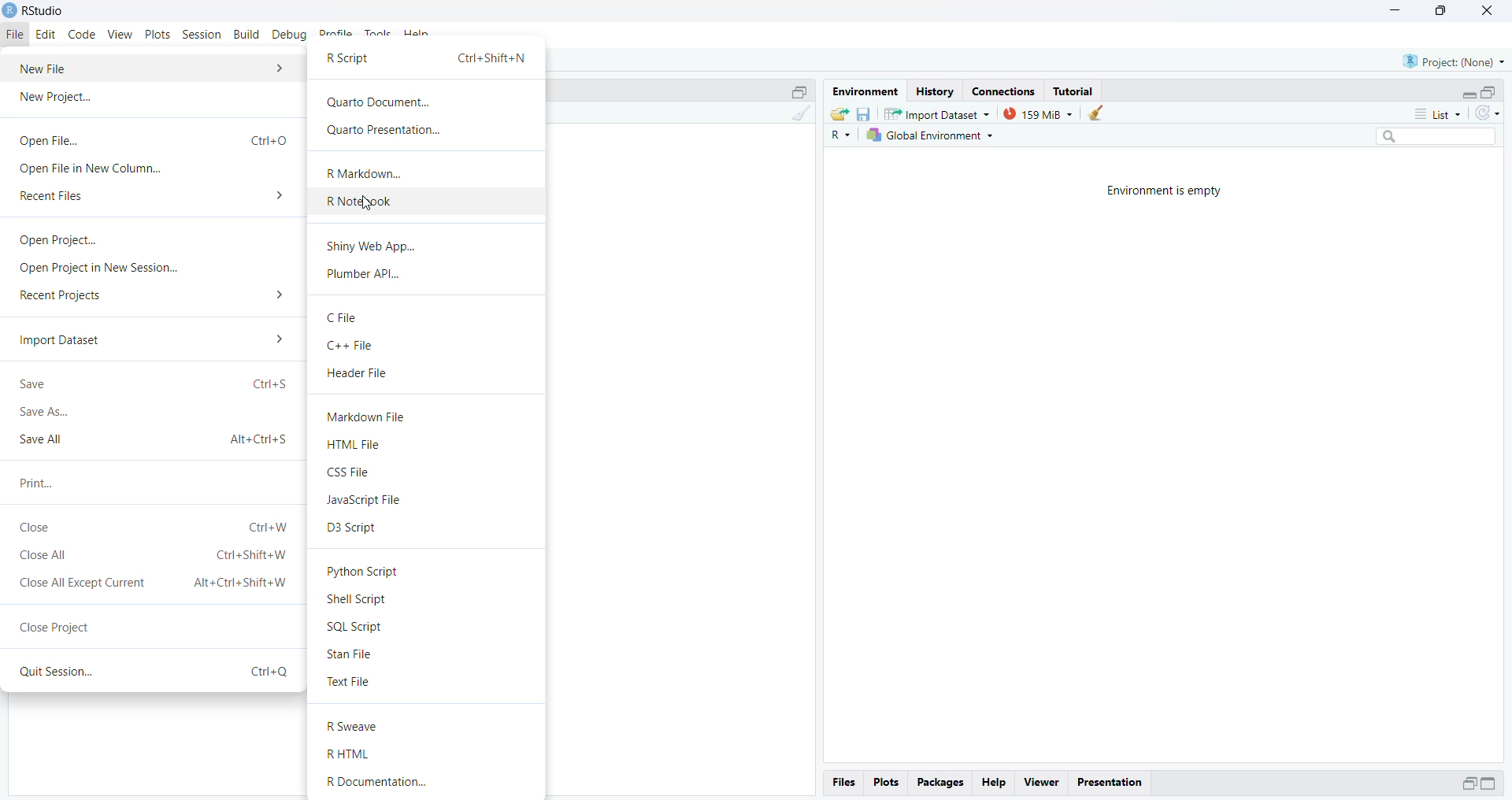 The width and height of the screenshot is (1512, 800). What do you see at coordinates (154, 528) in the screenshot?
I see `Close Ctrl+W` at bounding box center [154, 528].